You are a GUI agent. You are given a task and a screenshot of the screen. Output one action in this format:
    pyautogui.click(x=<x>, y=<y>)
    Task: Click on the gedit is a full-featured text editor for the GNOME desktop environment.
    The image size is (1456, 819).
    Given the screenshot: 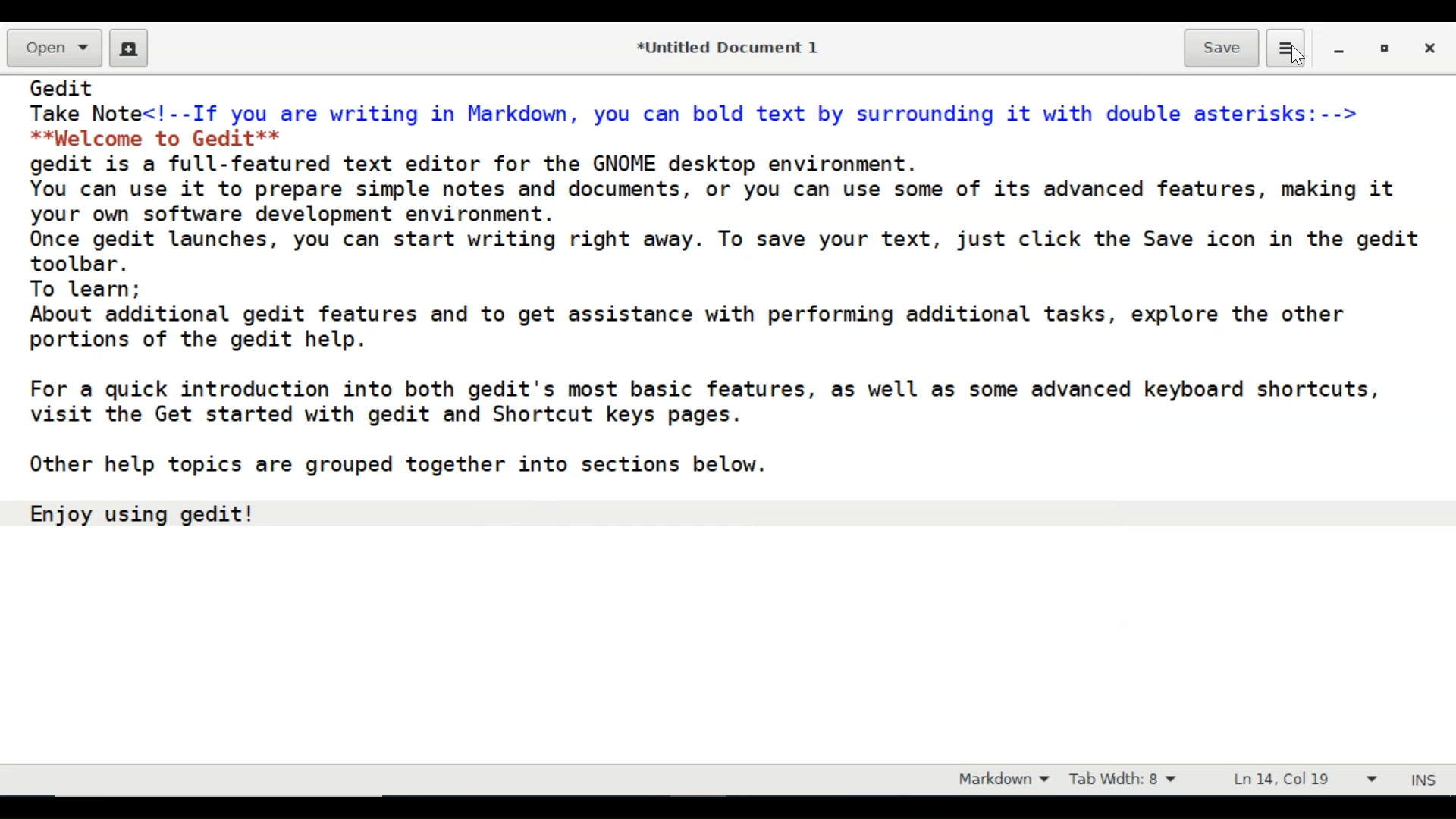 What is the action you would take?
    pyautogui.click(x=485, y=162)
    